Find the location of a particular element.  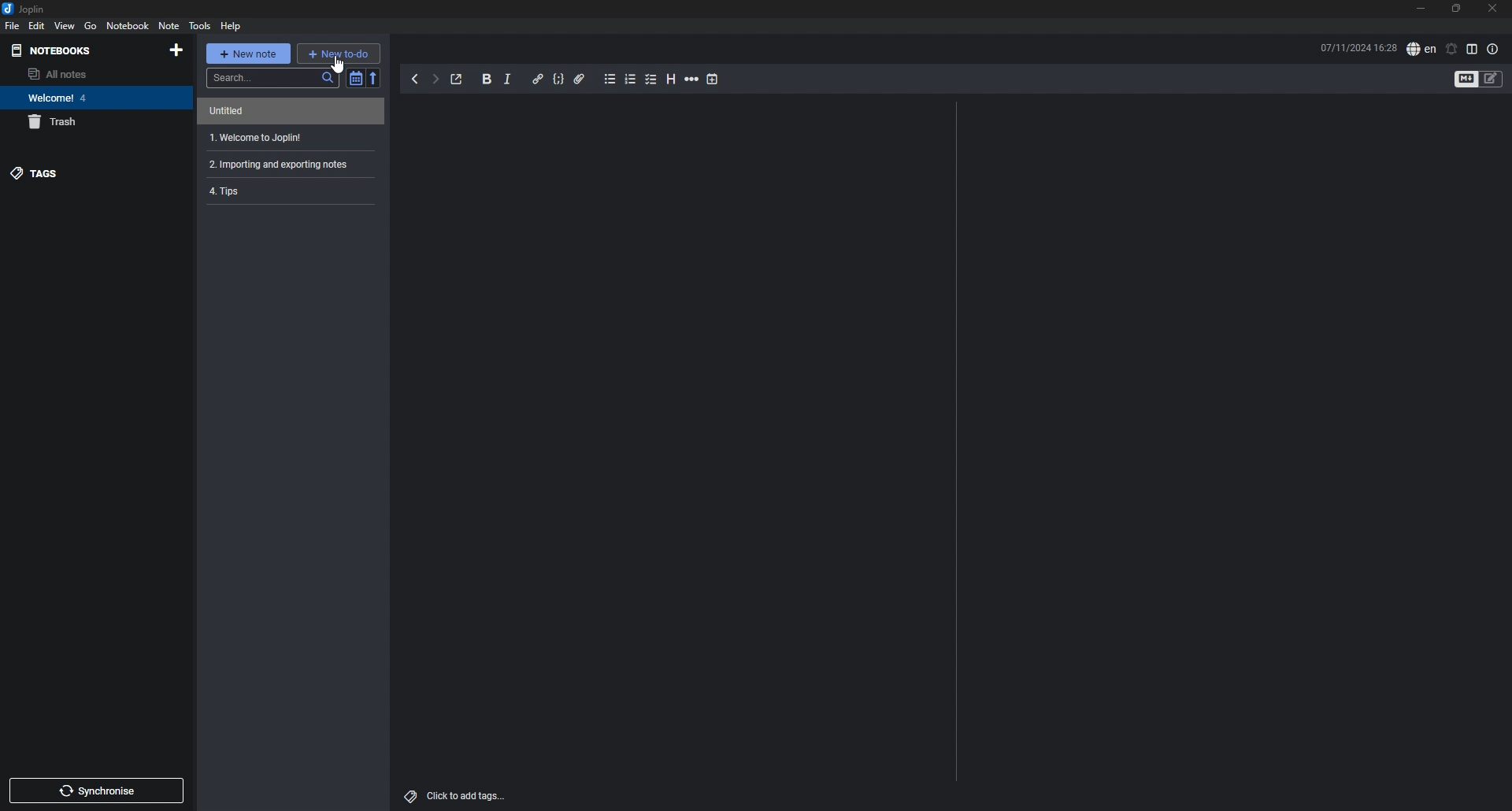

bullet list is located at coordinates (610, 80).